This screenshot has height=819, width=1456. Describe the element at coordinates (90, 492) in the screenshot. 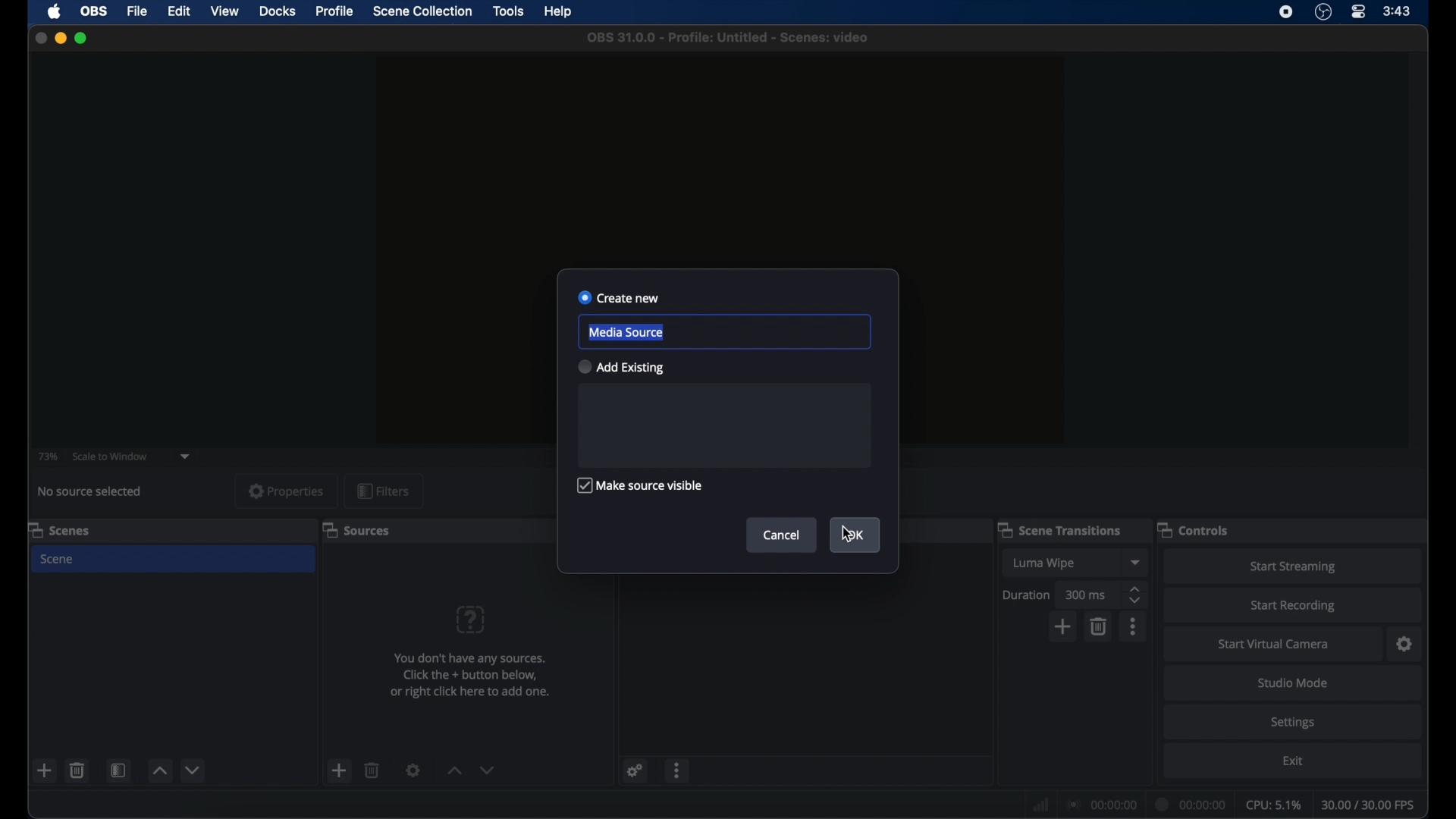

I see `no source selected` at that location.